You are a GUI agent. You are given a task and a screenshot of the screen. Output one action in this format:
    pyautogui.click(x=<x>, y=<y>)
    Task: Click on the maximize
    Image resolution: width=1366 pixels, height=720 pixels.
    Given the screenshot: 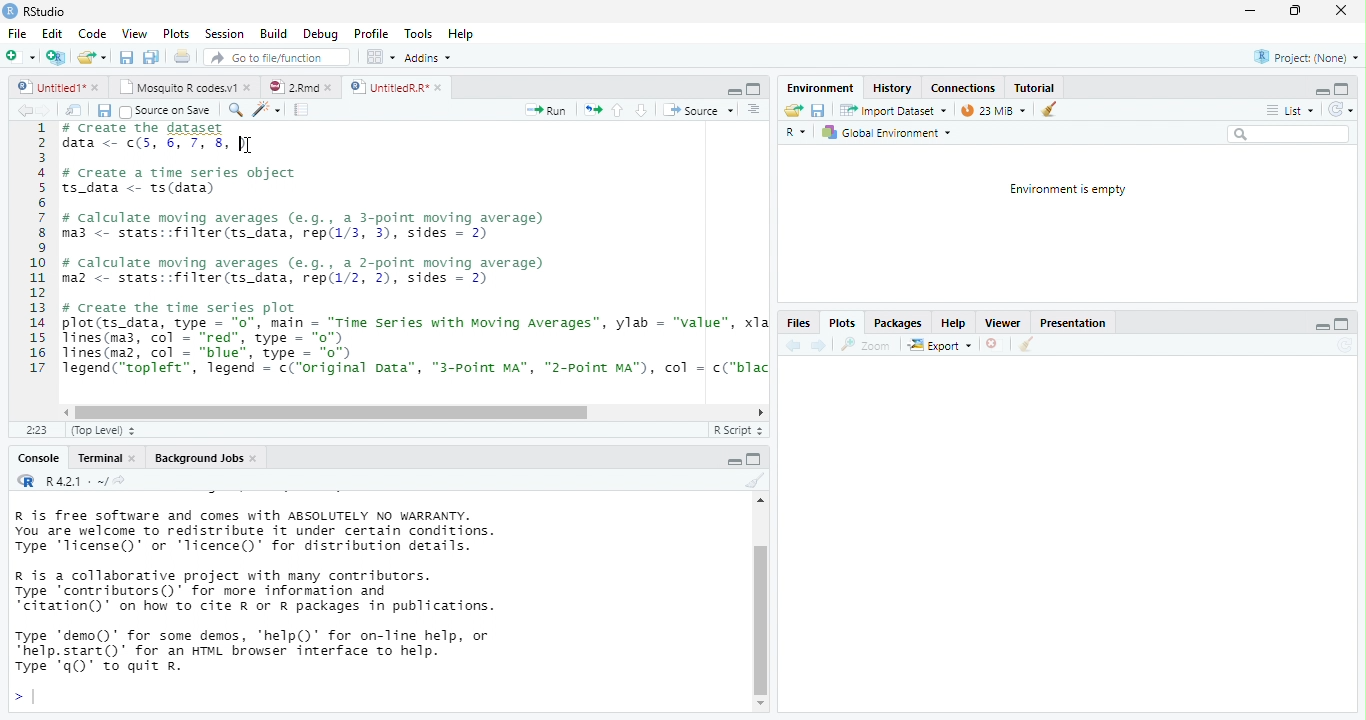 What is the action you would take?
    pyautogui.click(x=735, y=462)
    